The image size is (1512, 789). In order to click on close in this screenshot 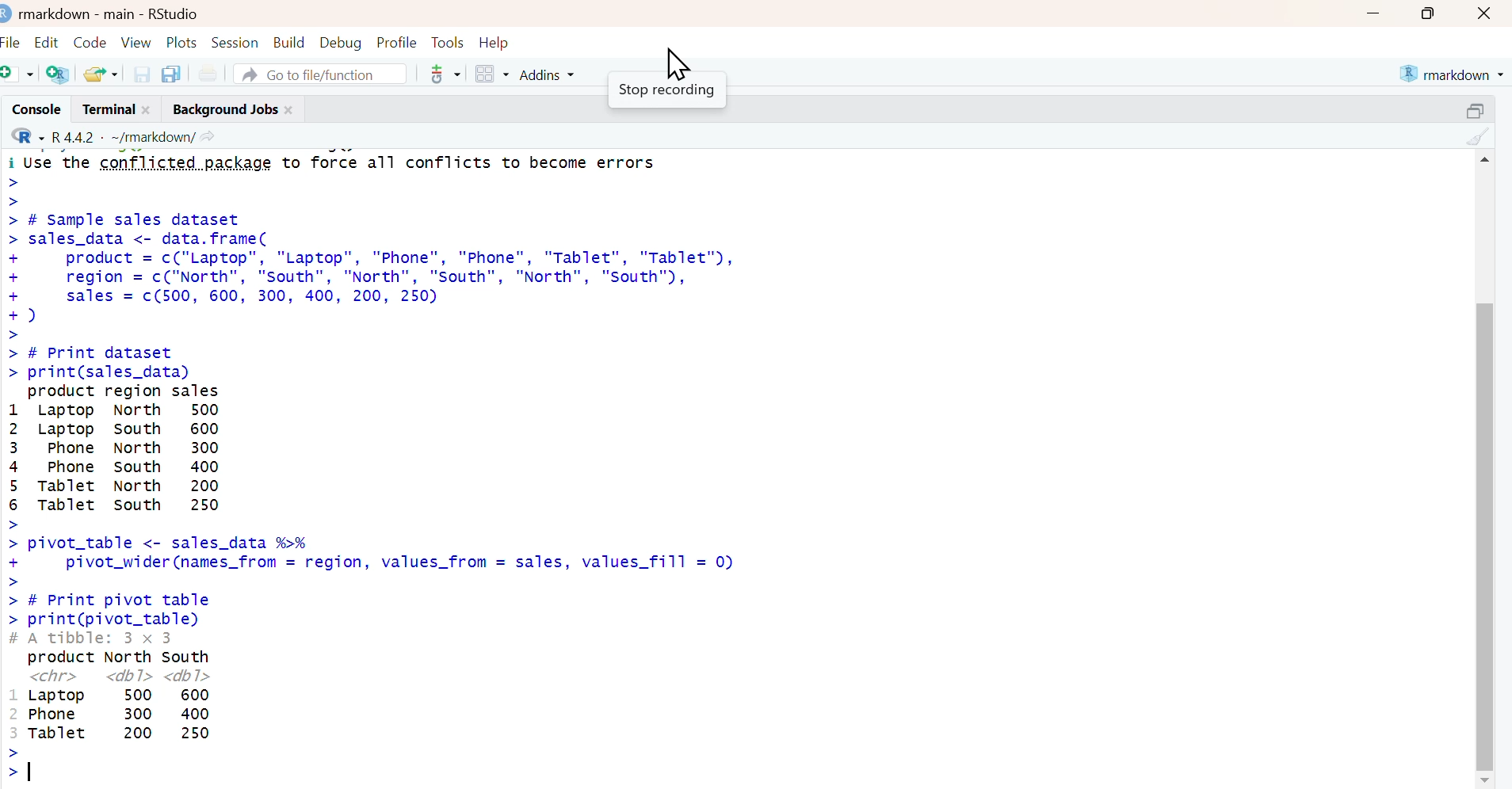, I will do `click(151, 109)`.